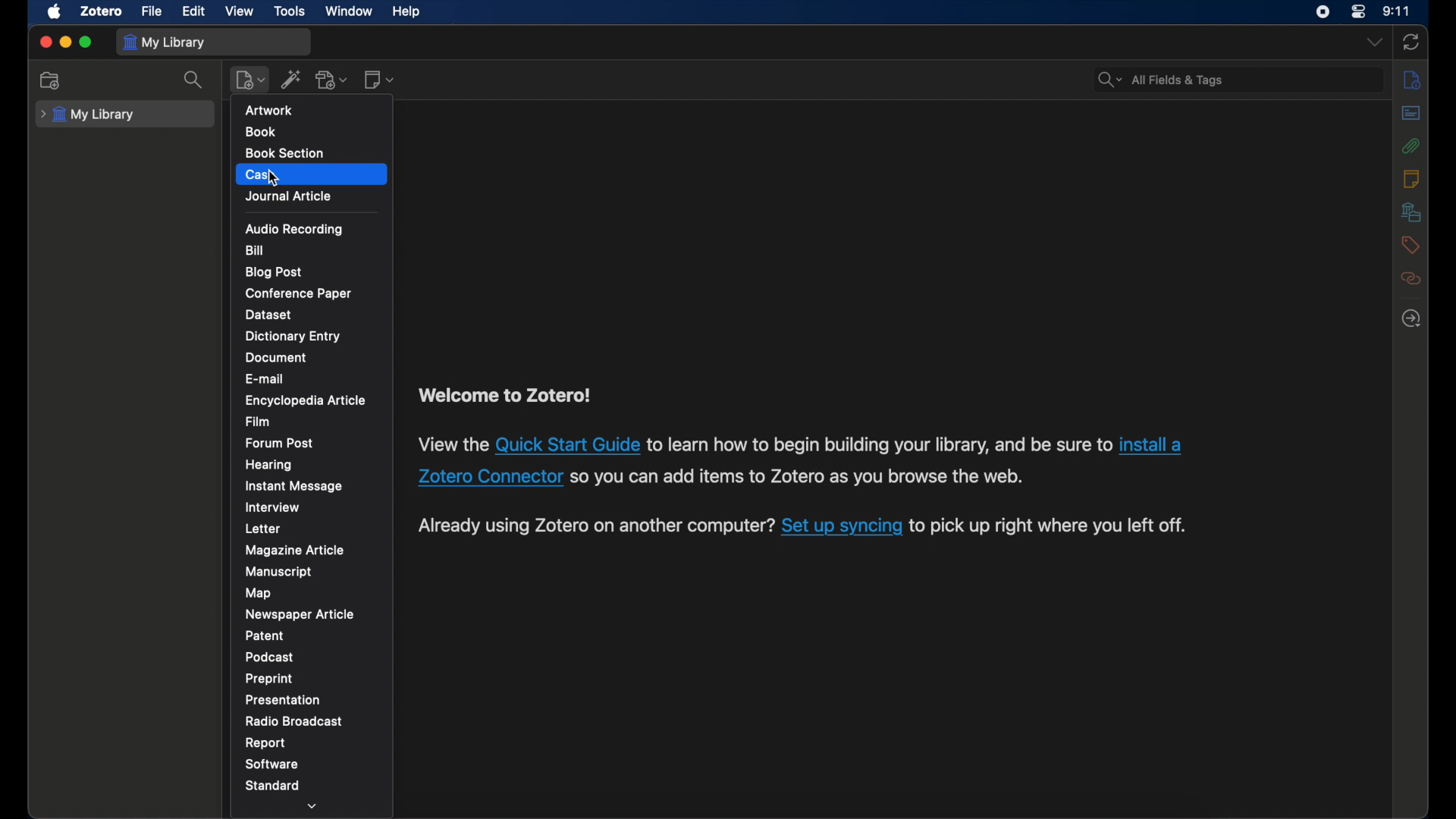 This screenshot has width=1456, height=819. Describe the element at coordinates (269, 110) in the screenshot. I see `artwork` at that location.